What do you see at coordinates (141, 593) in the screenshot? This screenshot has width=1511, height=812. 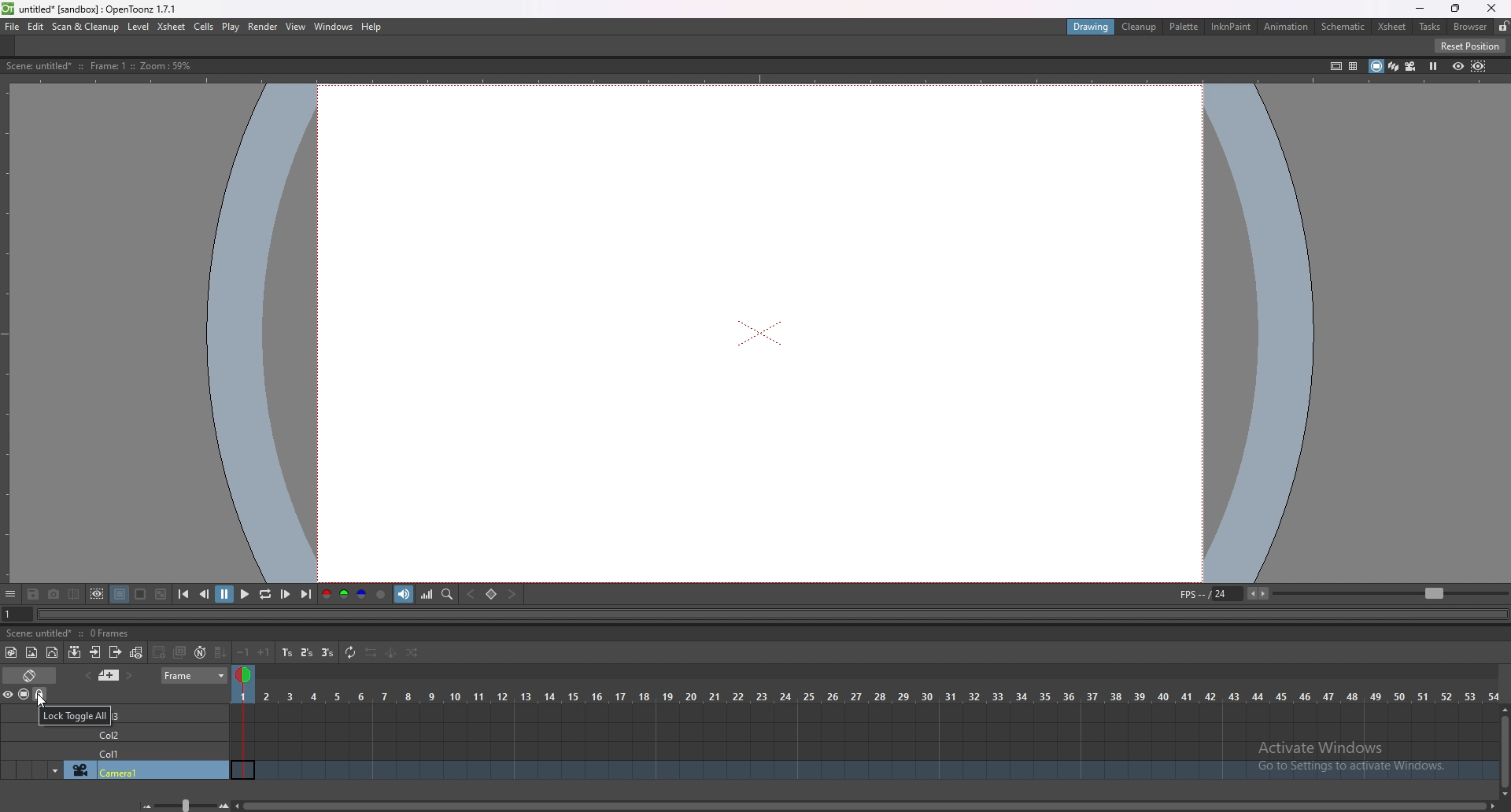 I see `white background` at bounding box center [141, 593].